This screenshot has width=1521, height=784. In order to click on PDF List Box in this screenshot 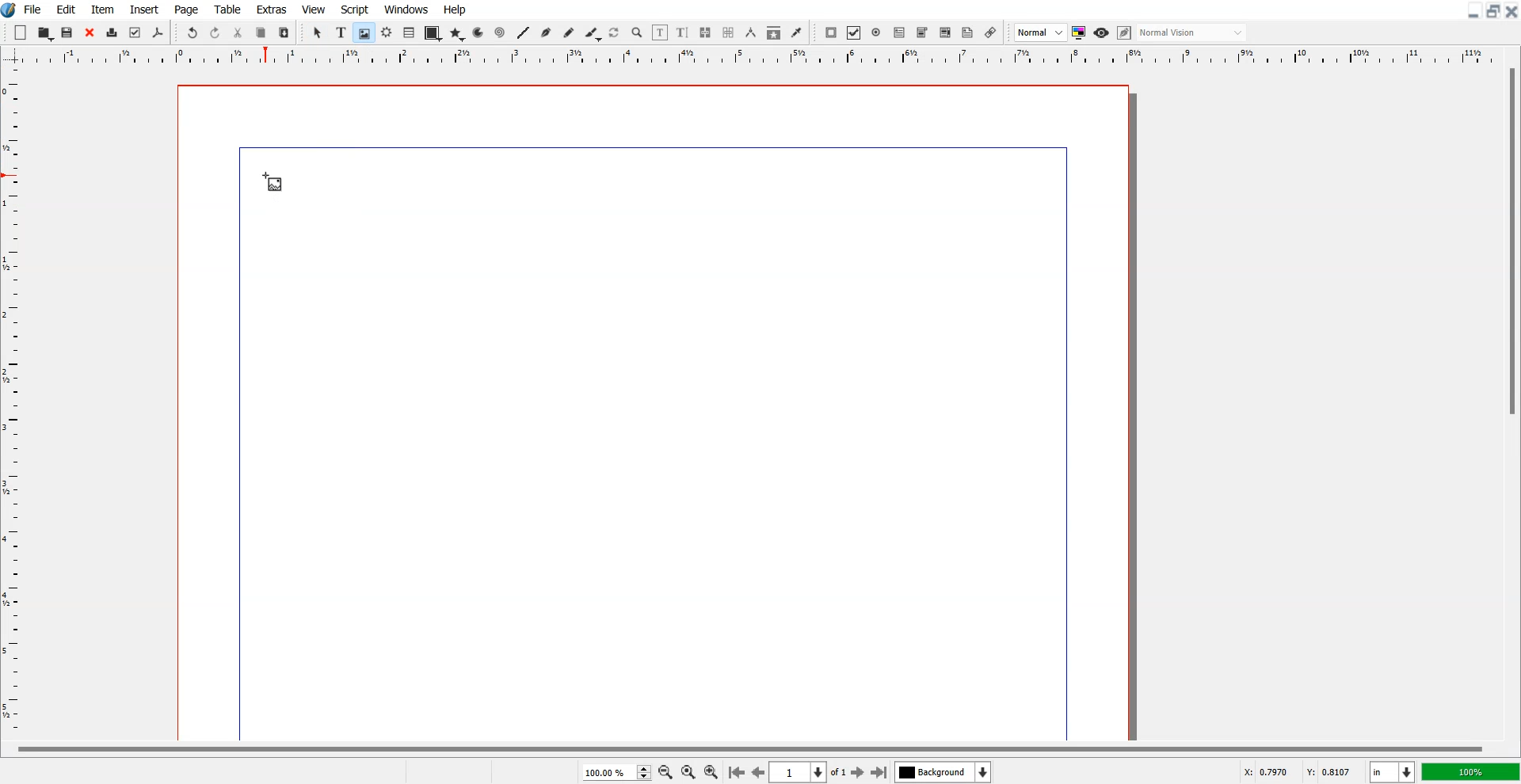, I will do `click(946, 32)`.